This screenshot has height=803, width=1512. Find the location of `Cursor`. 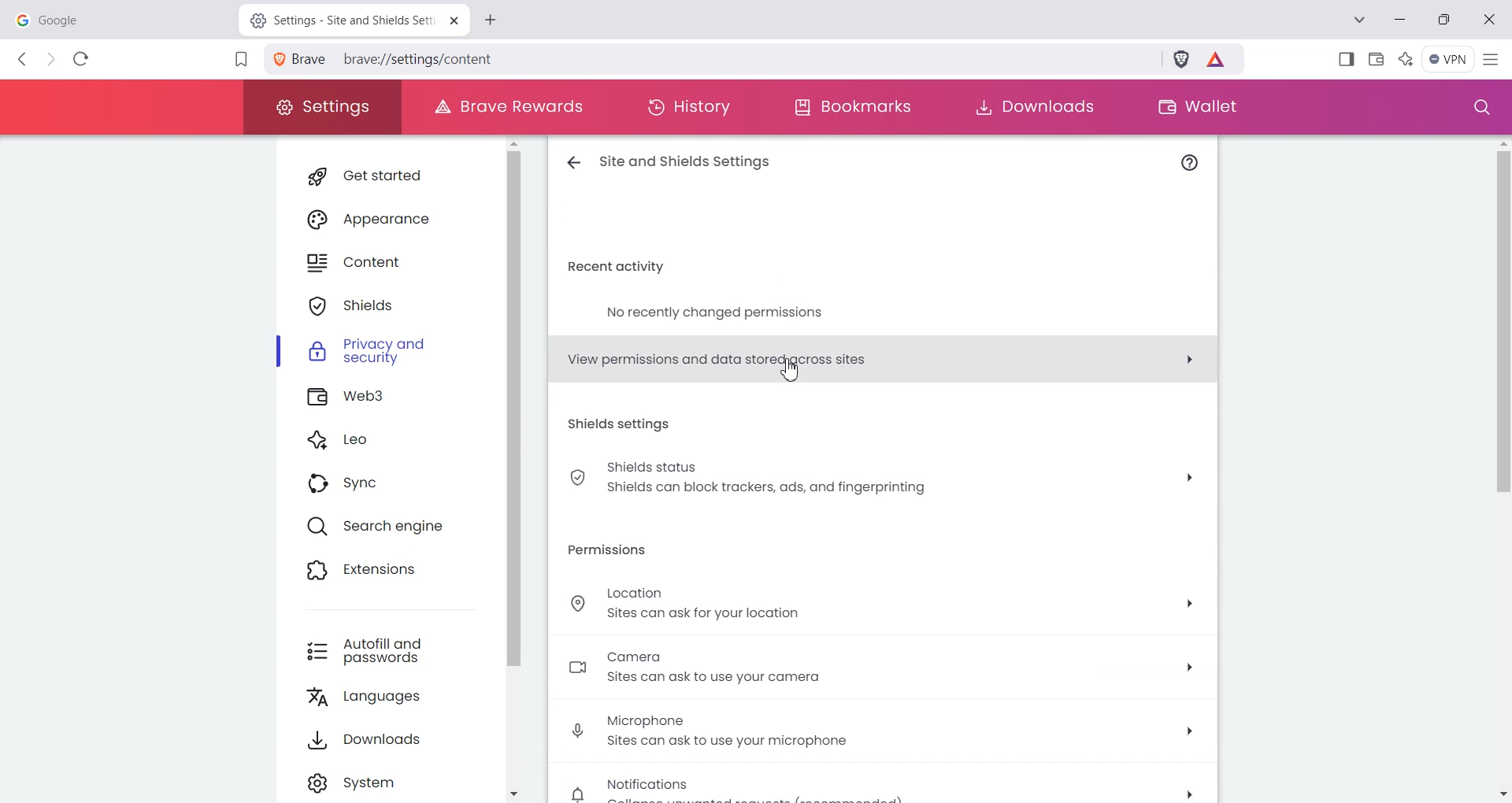

Cursor is located at coordinates (791, 371).